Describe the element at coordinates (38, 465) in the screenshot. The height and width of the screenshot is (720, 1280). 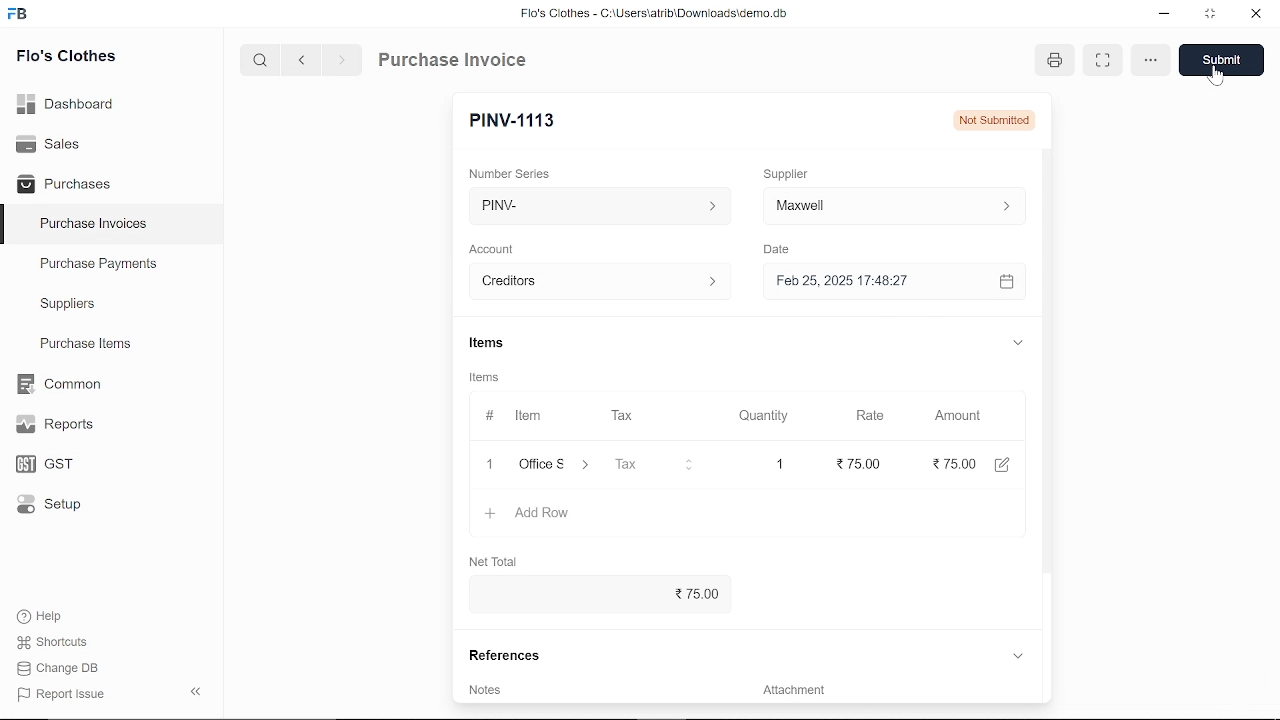
I see `GST` at that location.